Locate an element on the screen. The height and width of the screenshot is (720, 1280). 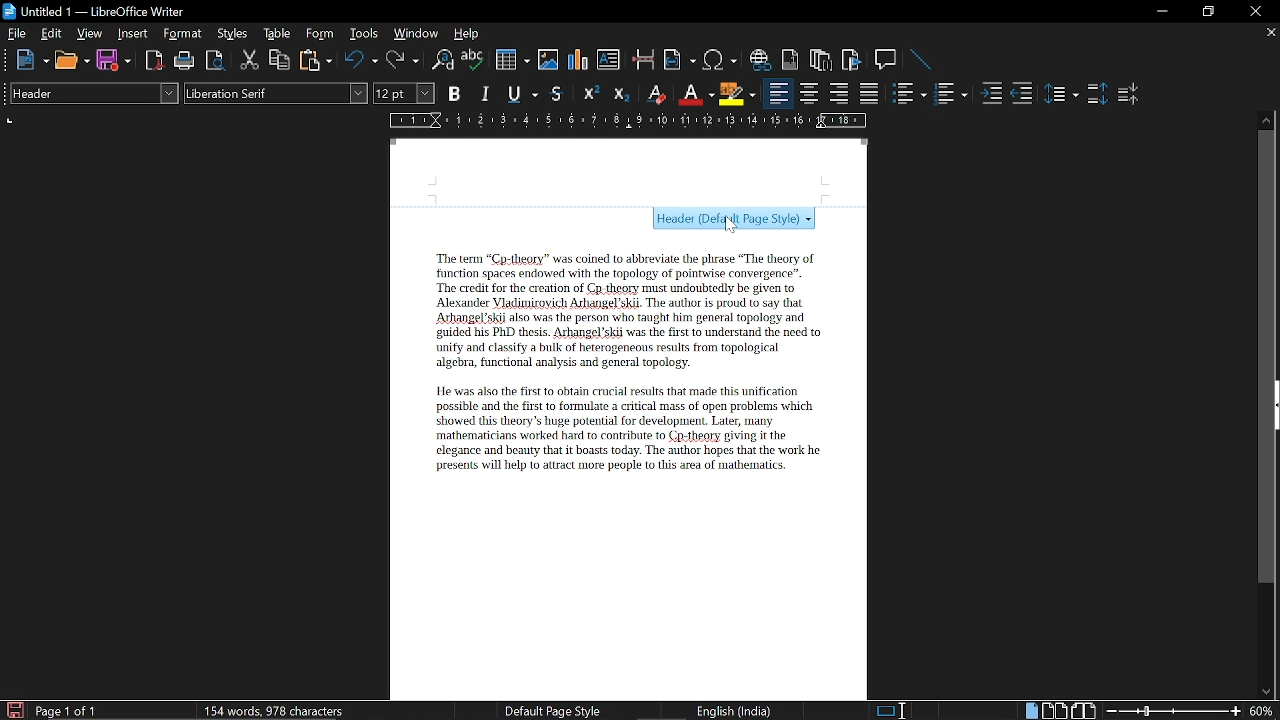
Superscript is located at coordinates (588, 94).